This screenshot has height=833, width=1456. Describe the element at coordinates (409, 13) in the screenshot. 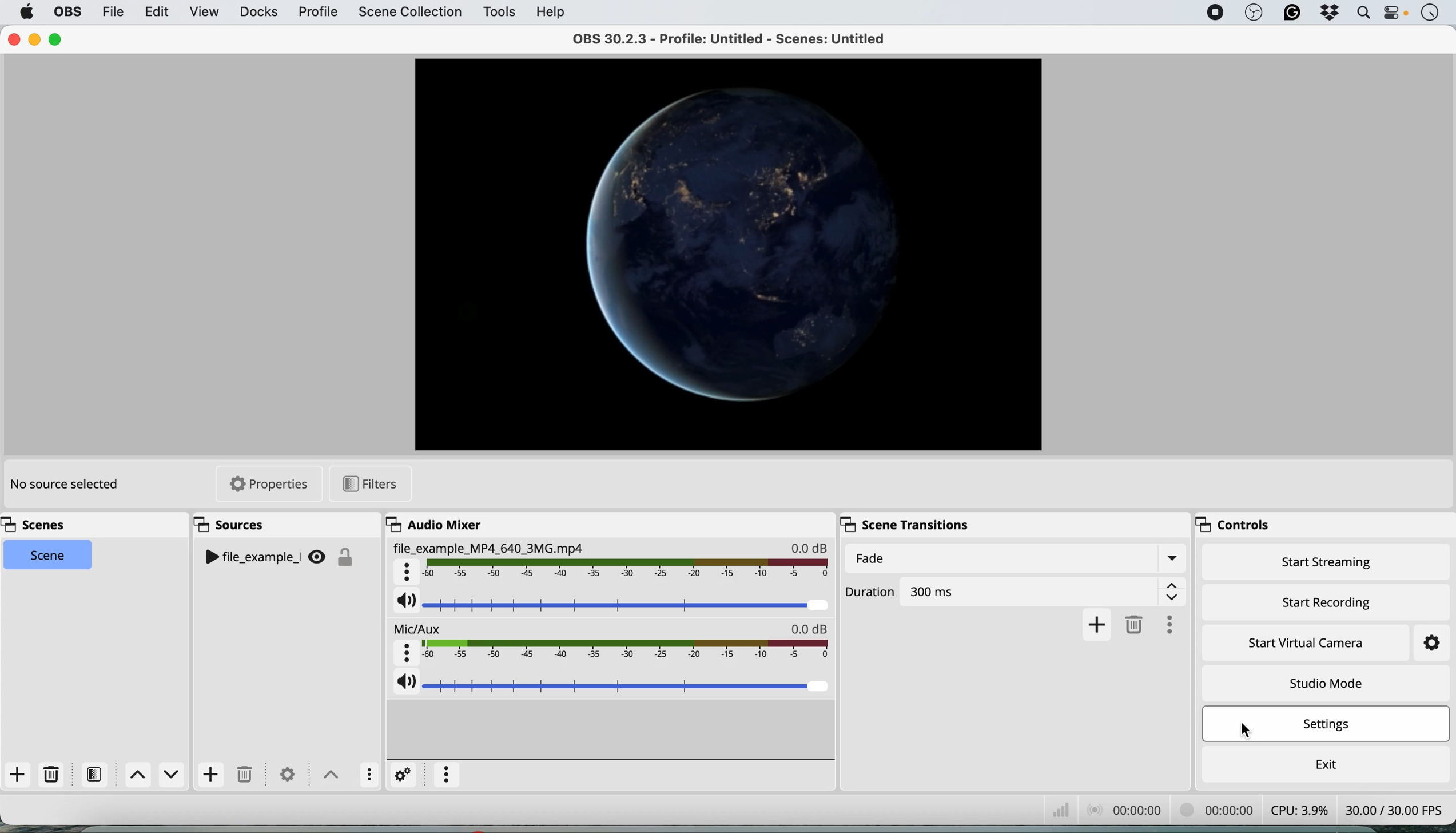

I see `scene collection` at that location.